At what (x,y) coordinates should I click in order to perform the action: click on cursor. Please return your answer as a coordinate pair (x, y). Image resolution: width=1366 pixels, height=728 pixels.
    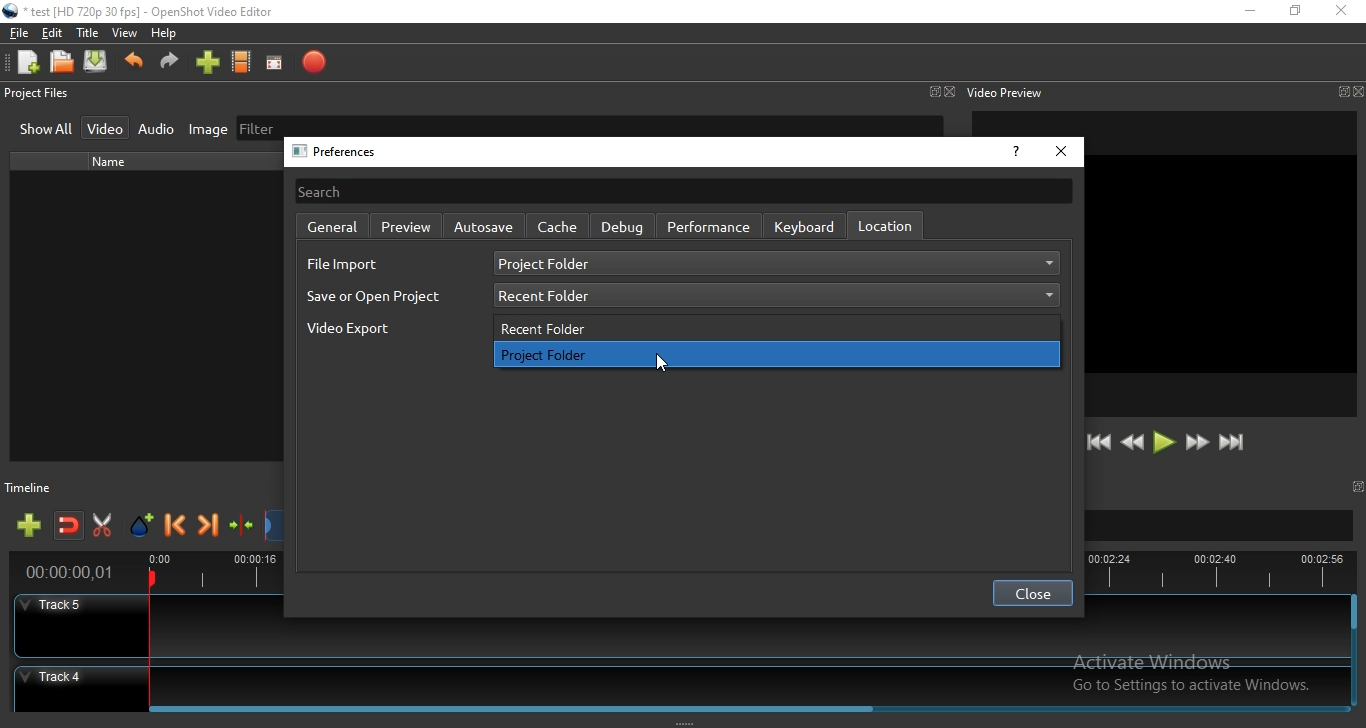
    Looking at the image, I should click on (662, 365).